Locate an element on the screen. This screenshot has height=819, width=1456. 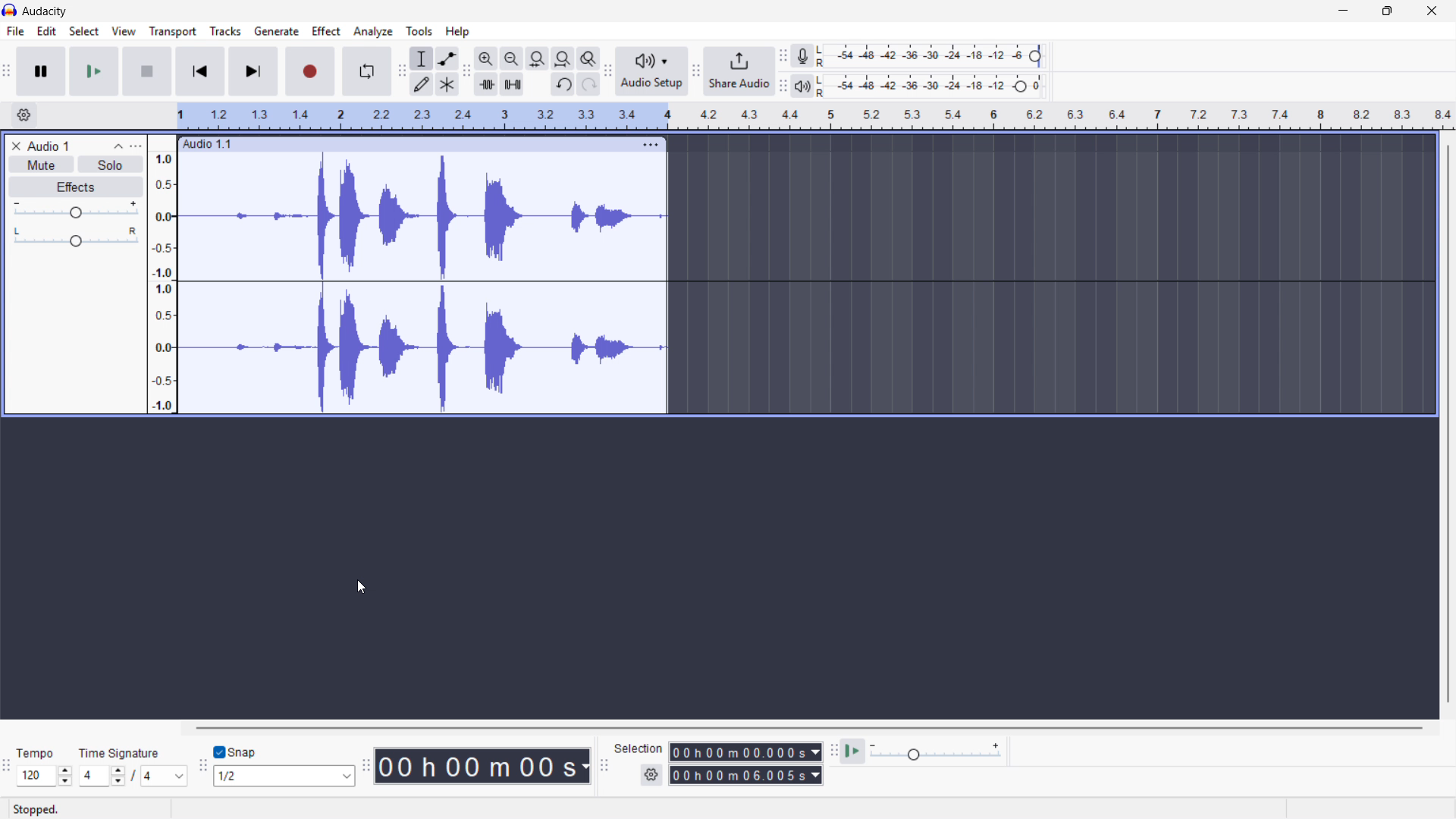
audio setup toolbar is located at coordinates (607, 73).